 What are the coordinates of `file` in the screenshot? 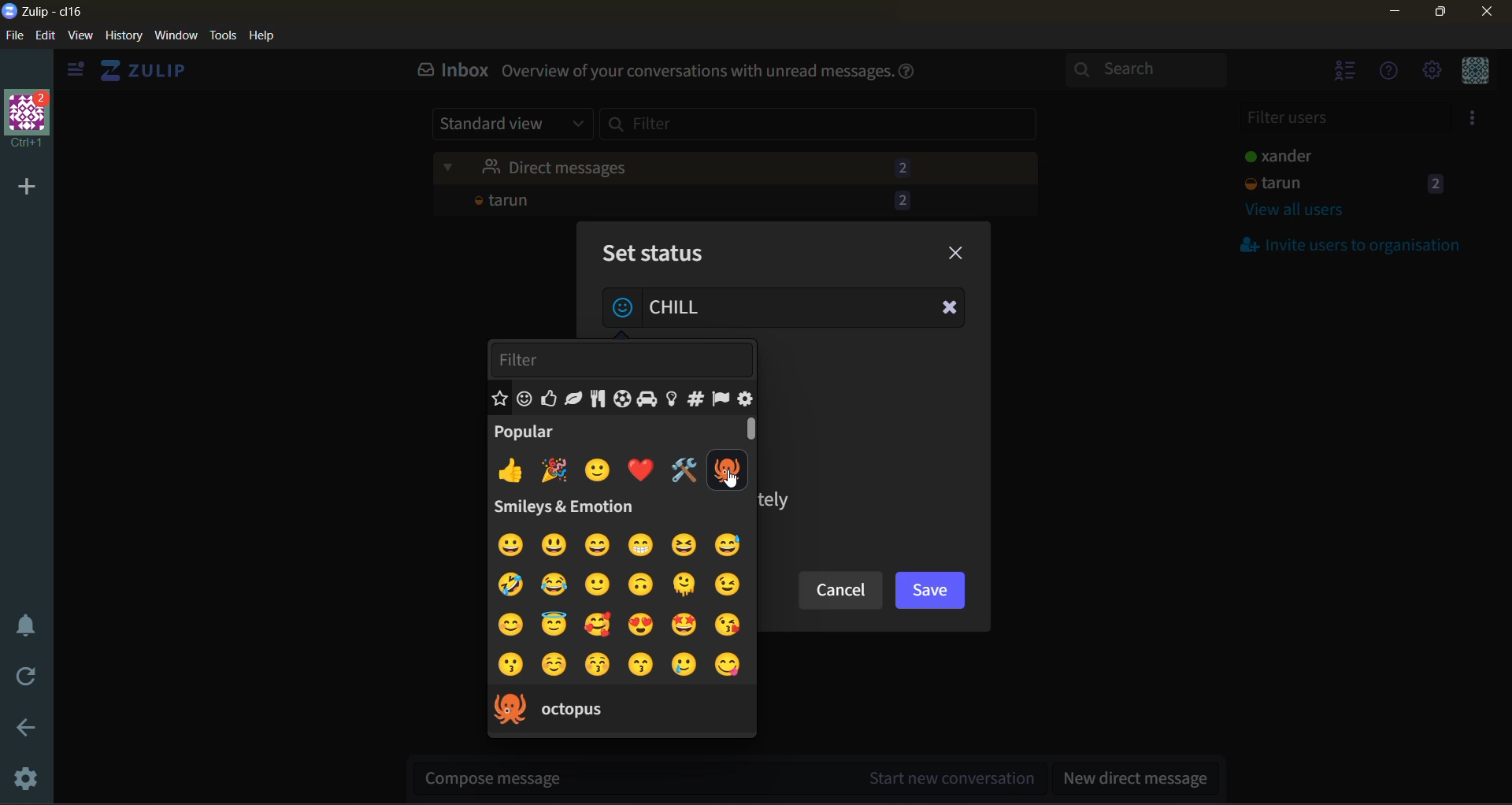 It's located at (20, 37).